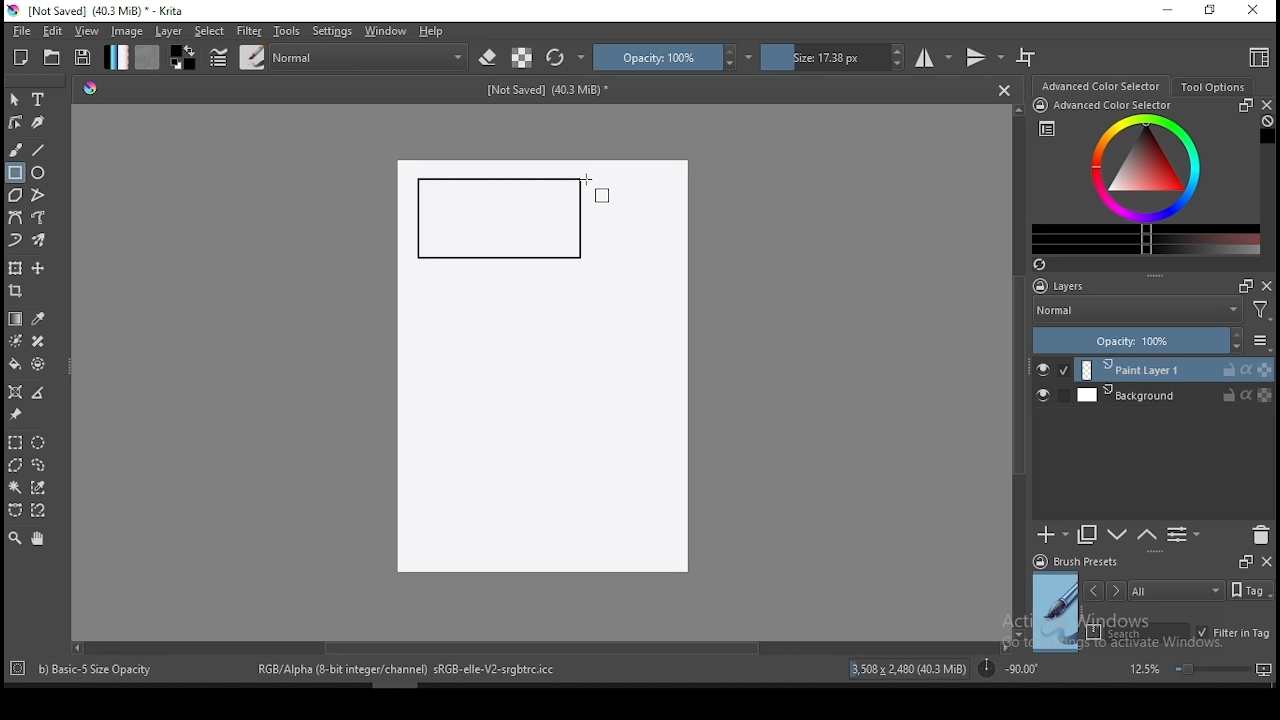  What do you see at coordinates (1048, 397) in the screenshot?
I see `layer visibility on/off` at bounding box center [1048, 397].